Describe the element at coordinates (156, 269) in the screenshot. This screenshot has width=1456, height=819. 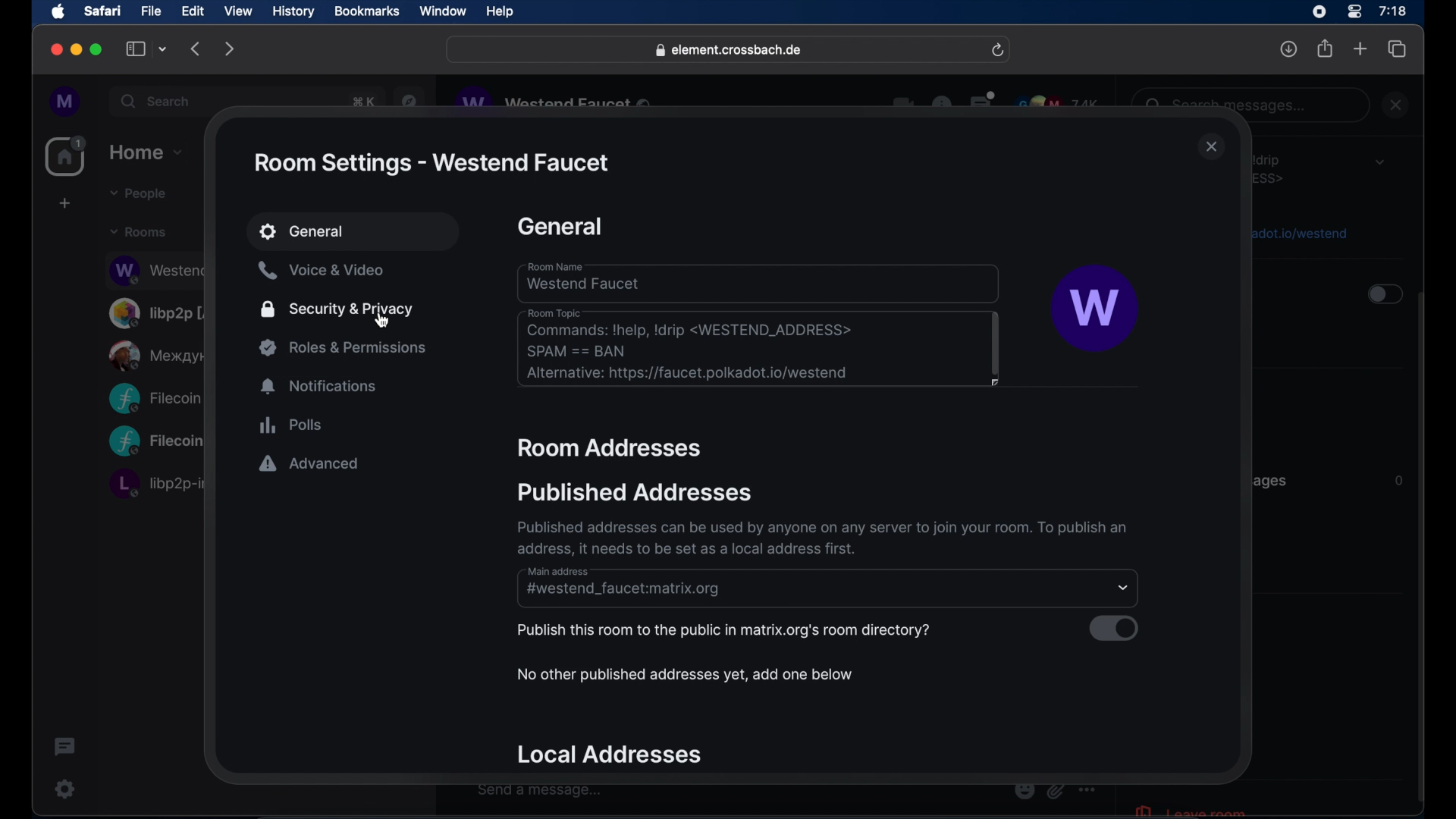
I see `obscure` at that location.